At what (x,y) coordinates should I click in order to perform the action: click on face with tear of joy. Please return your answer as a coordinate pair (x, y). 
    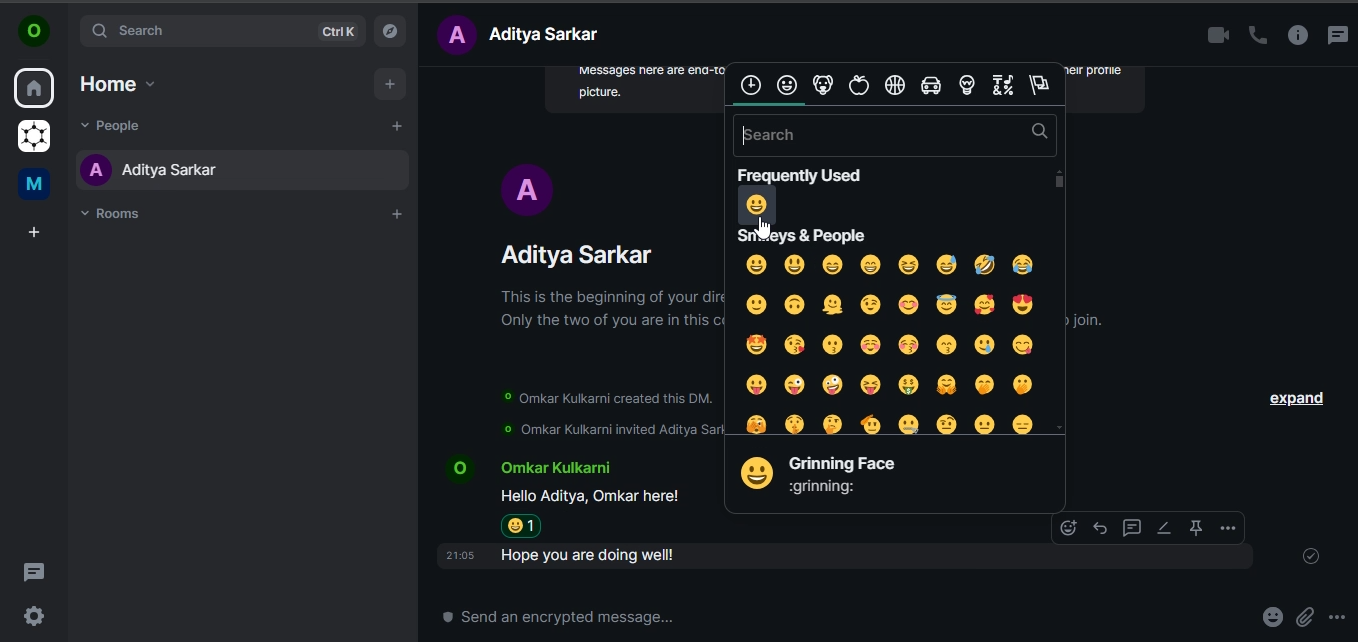
    Looking at the image, I should click on (1025, 266).